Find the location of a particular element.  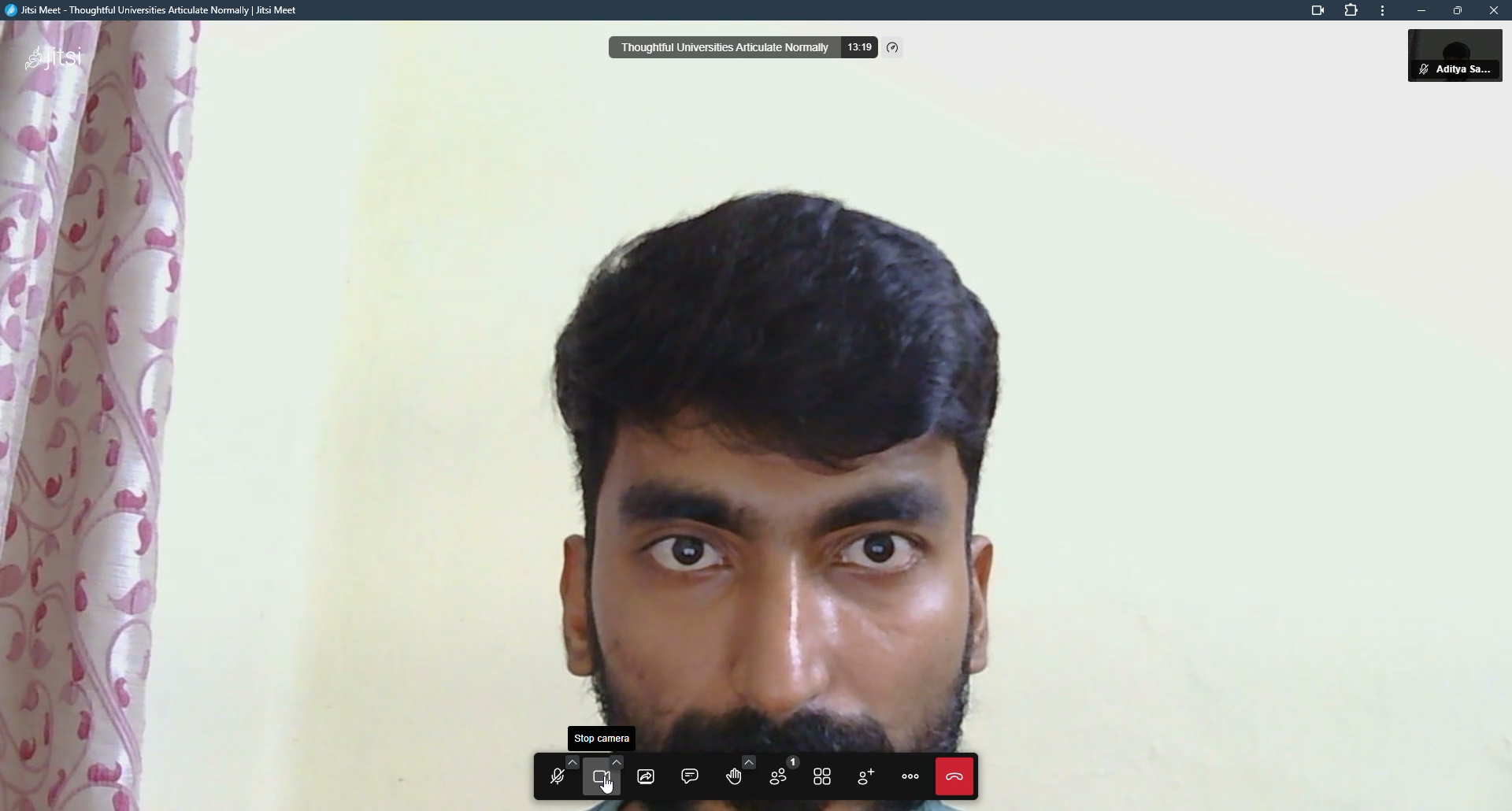

participants is located at coordinates (781, 774).